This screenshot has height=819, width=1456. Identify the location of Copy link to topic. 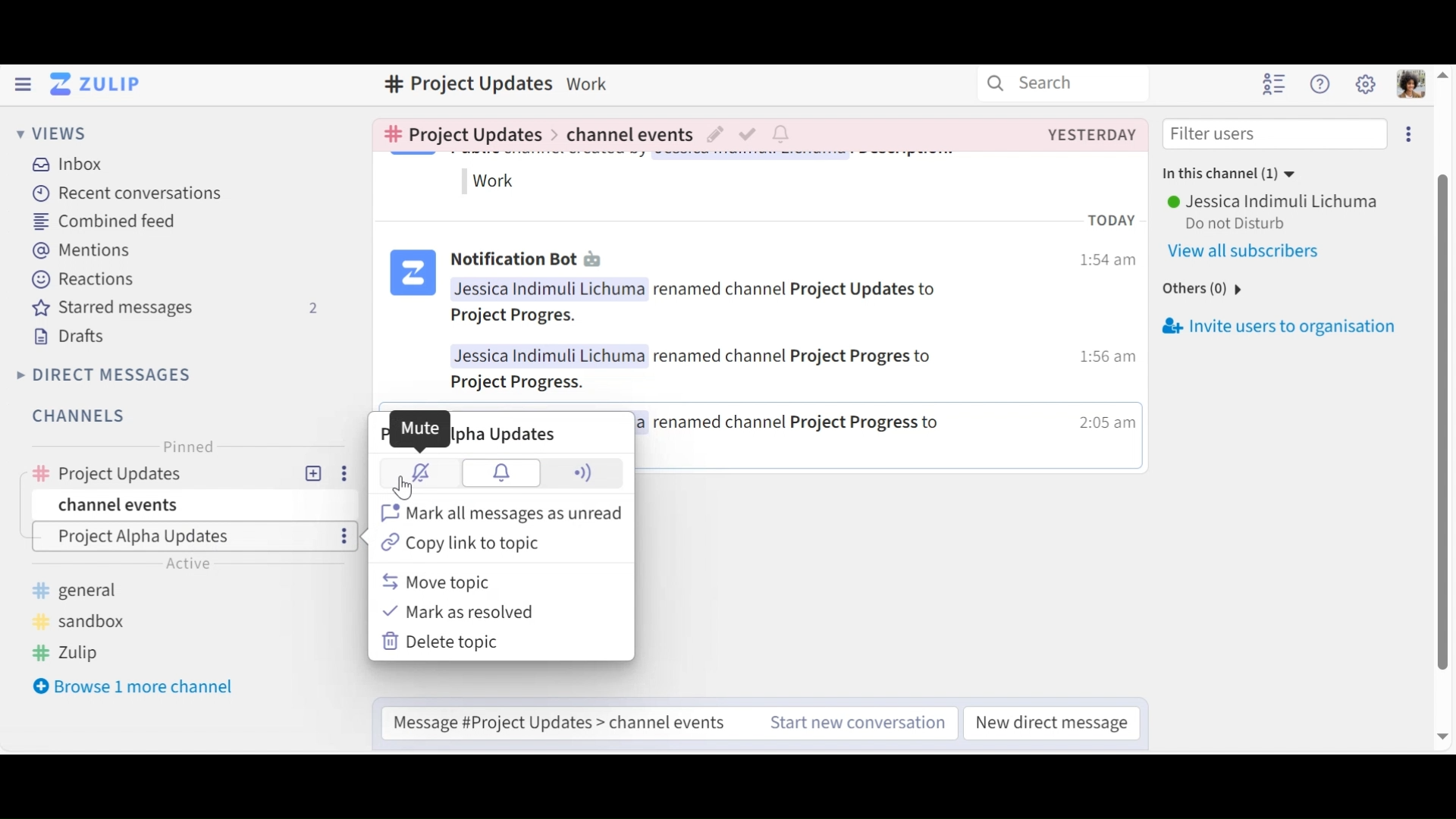
(458, 544).